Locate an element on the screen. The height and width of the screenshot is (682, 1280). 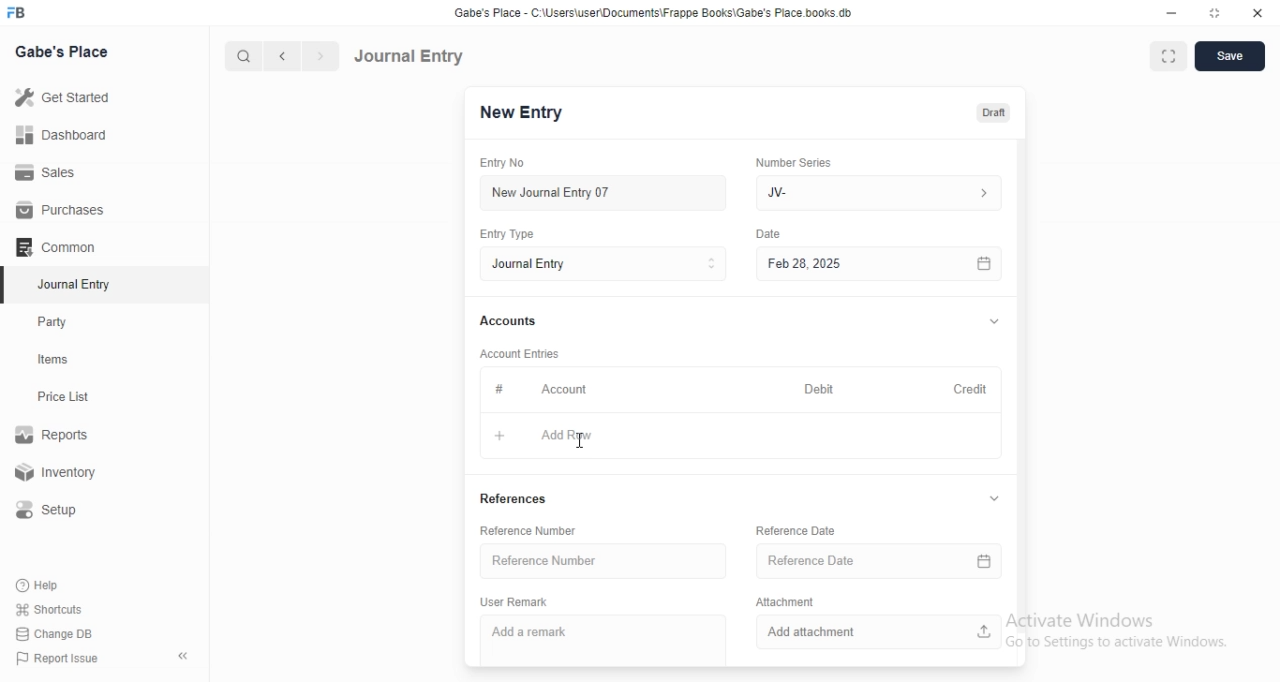
Attachment is located at coordinates (782, 602).